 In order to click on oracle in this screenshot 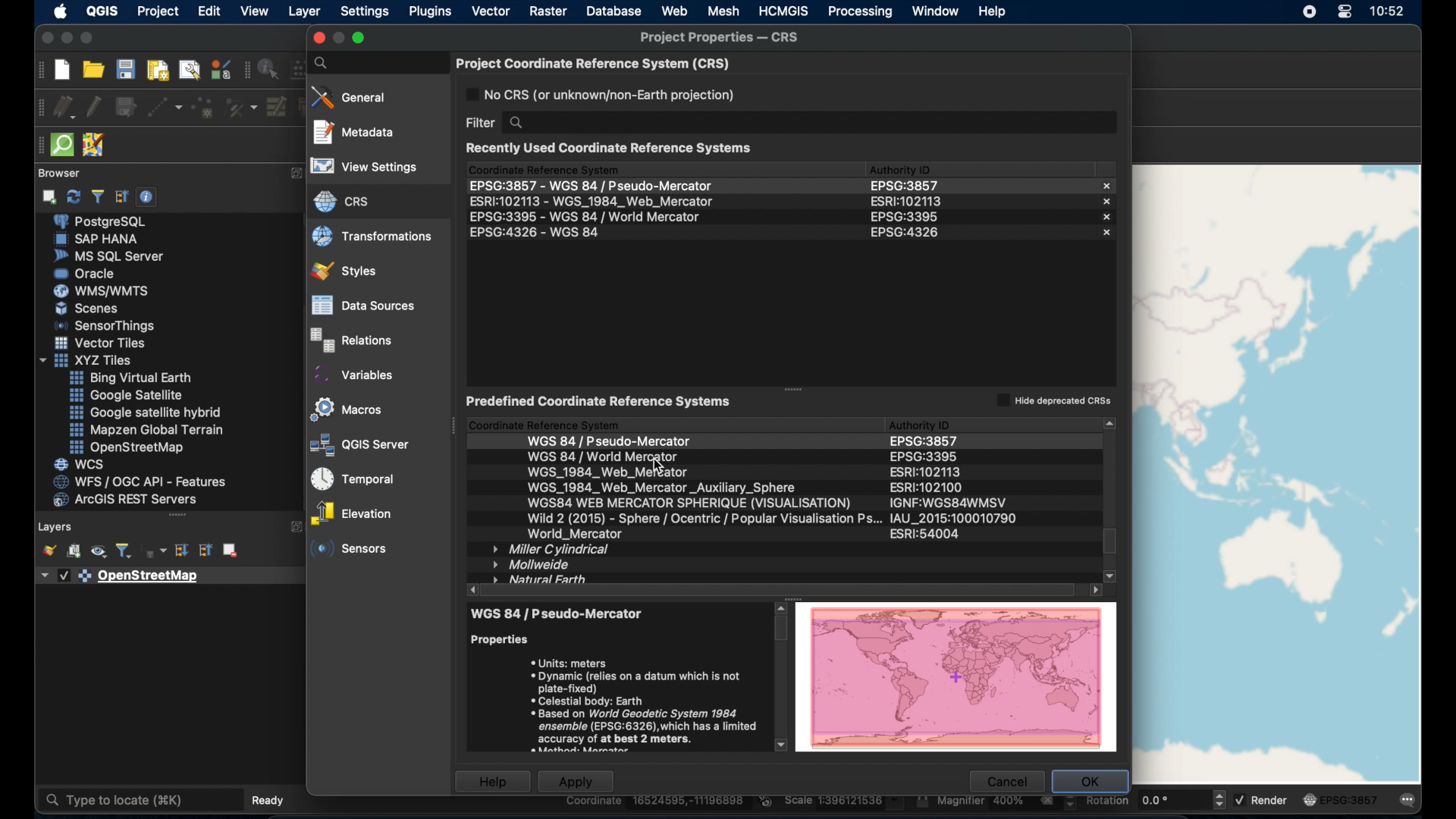, I will do `click(87, 274)`.